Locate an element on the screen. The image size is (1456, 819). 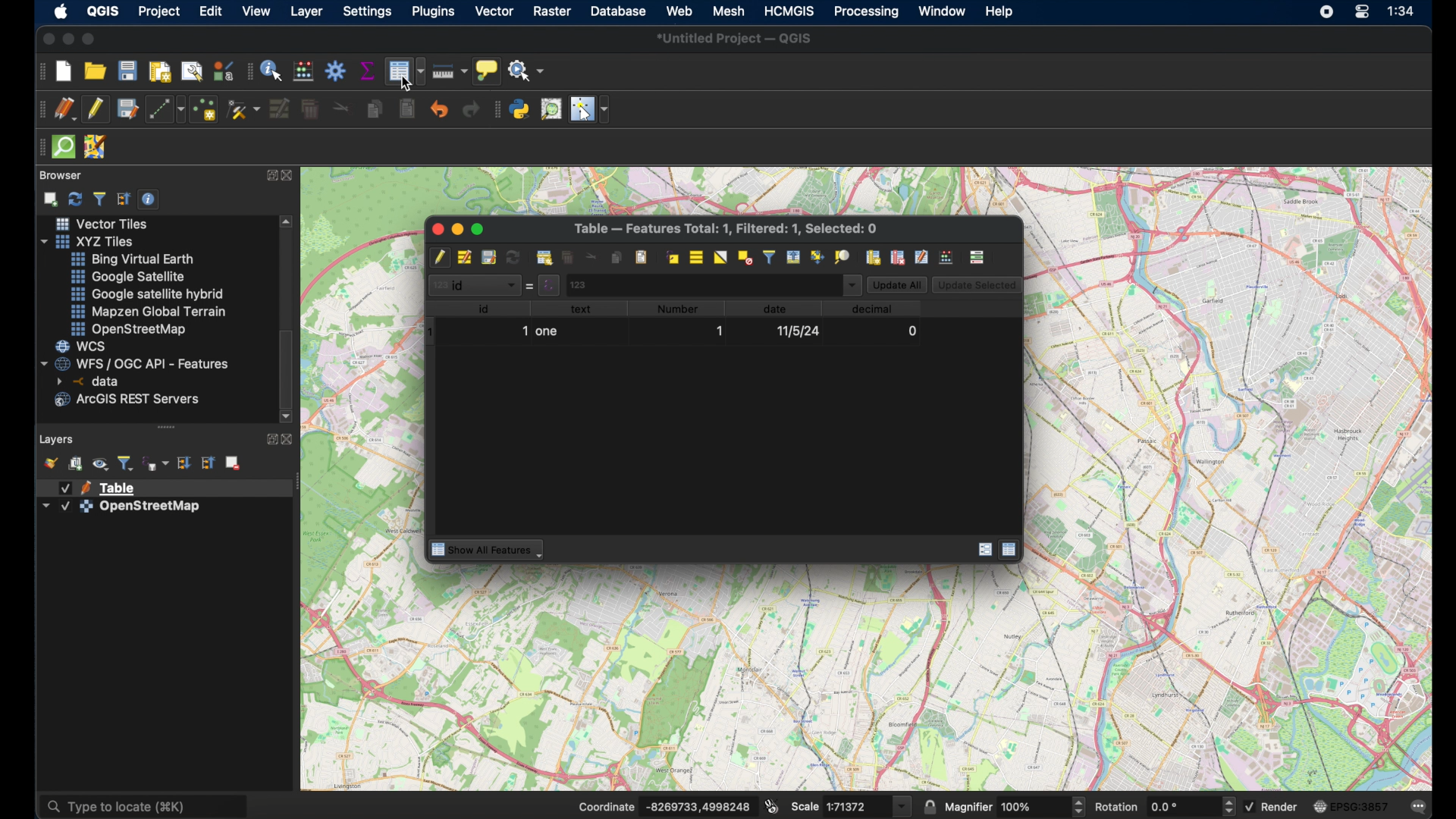
screen recording icon is located at coordinates (1326, 14).